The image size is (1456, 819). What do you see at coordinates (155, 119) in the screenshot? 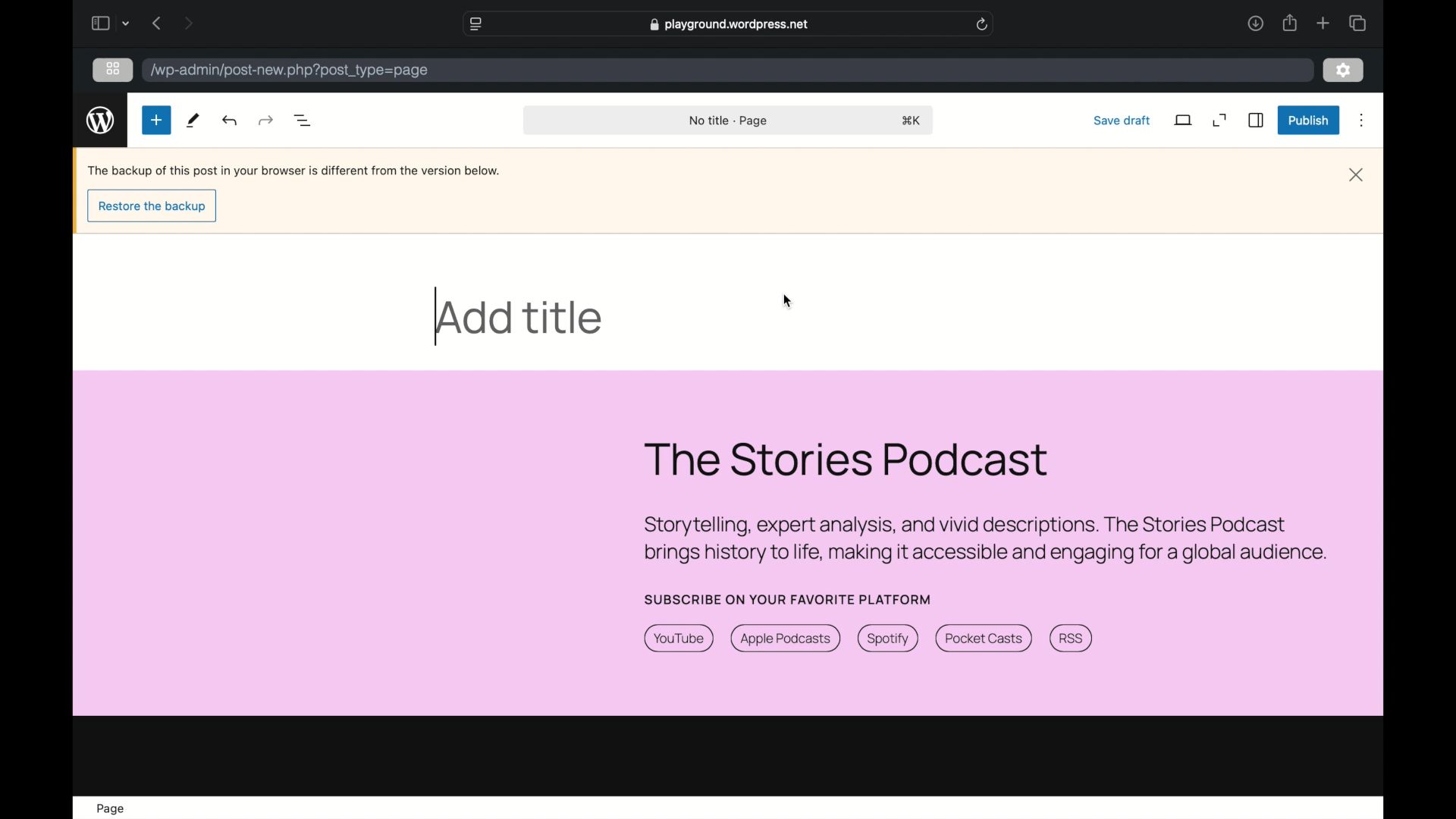
I see `new` at bounding box center [155, 119].